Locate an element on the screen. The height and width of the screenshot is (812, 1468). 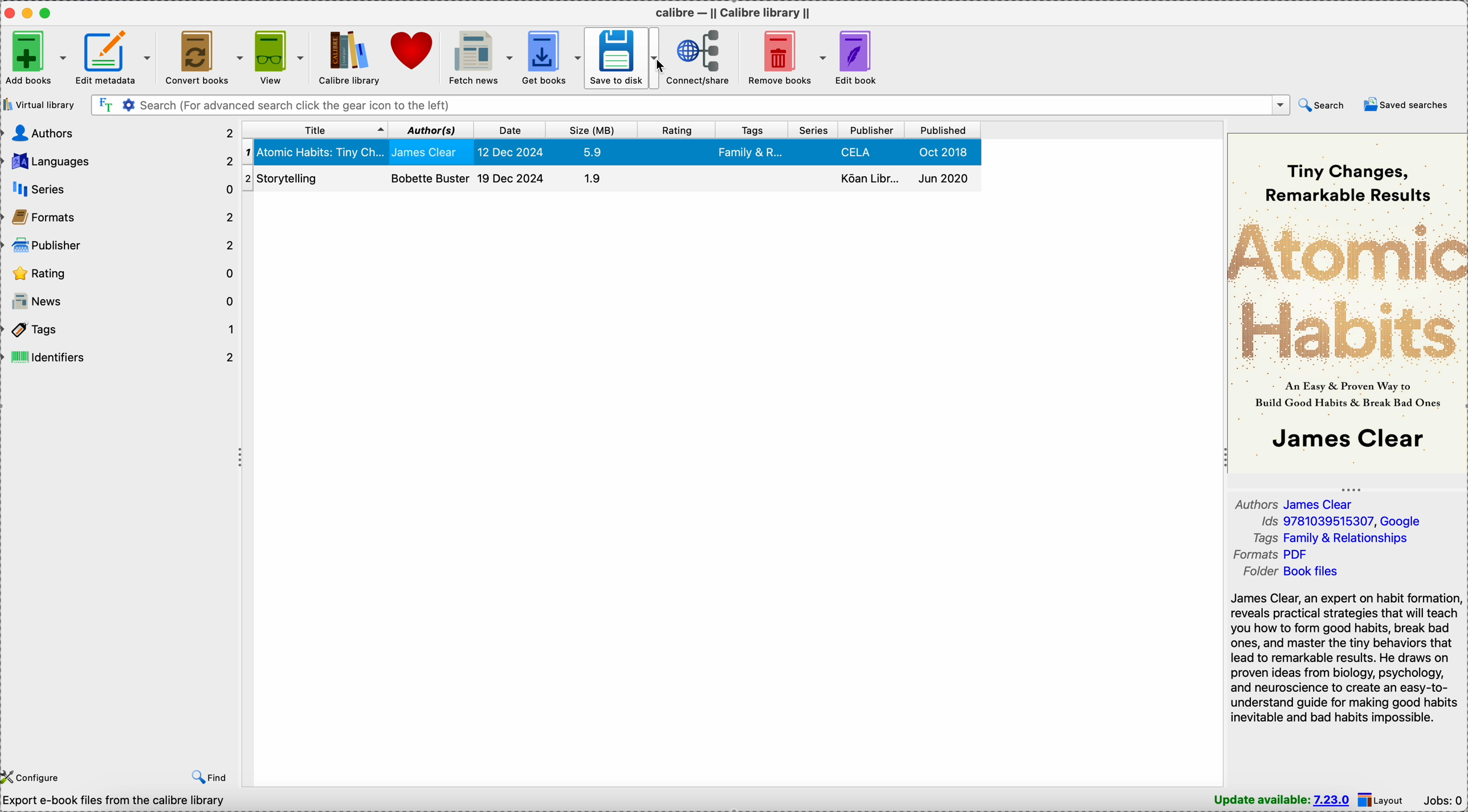
formats PDF is located at coordinates (1270, 554).